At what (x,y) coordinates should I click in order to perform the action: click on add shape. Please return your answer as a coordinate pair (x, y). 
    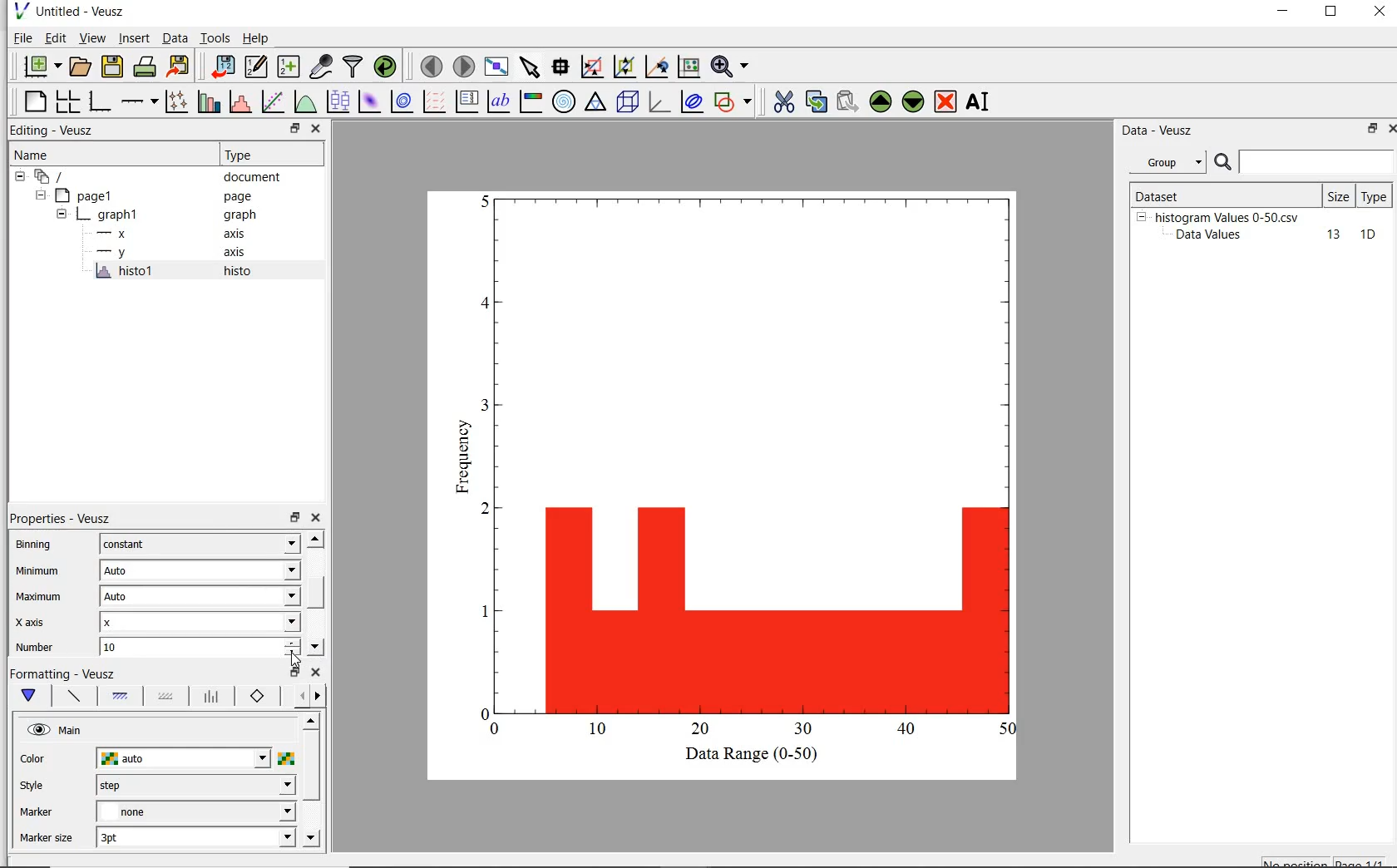
    Looking at the image, I should click on (733, 103).